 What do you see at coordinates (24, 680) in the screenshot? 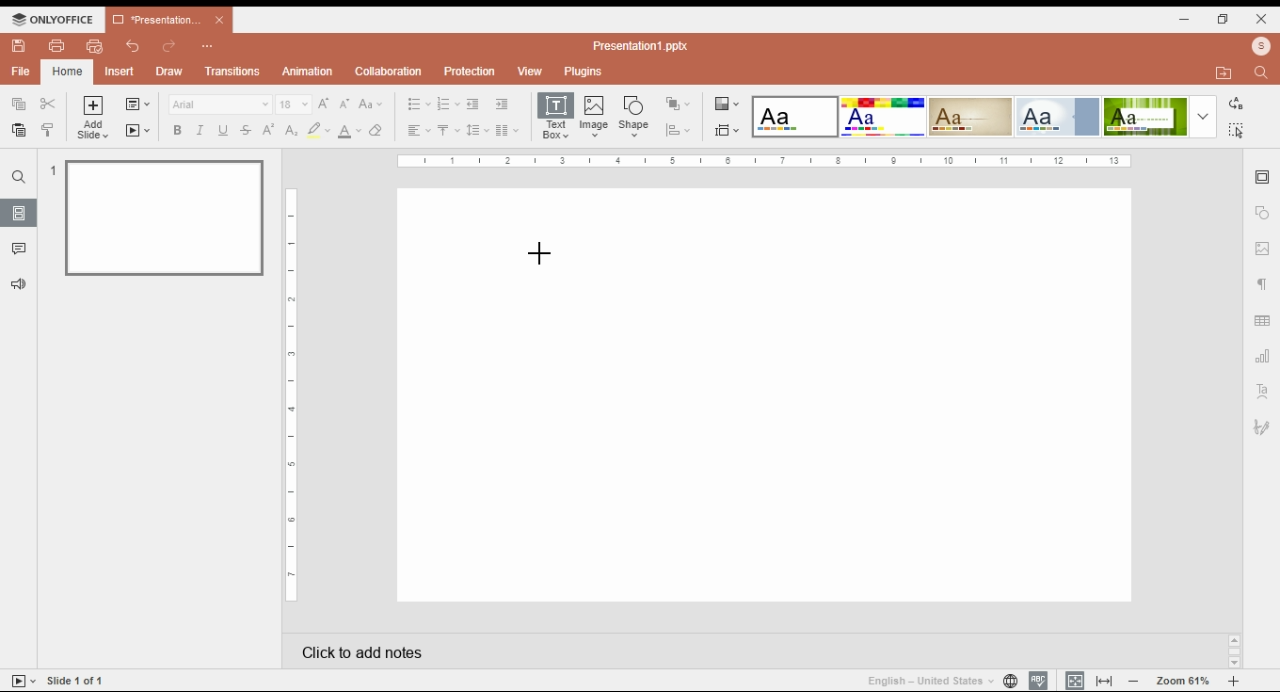
I see `tart slideshow` at bounding box center [24, 680].